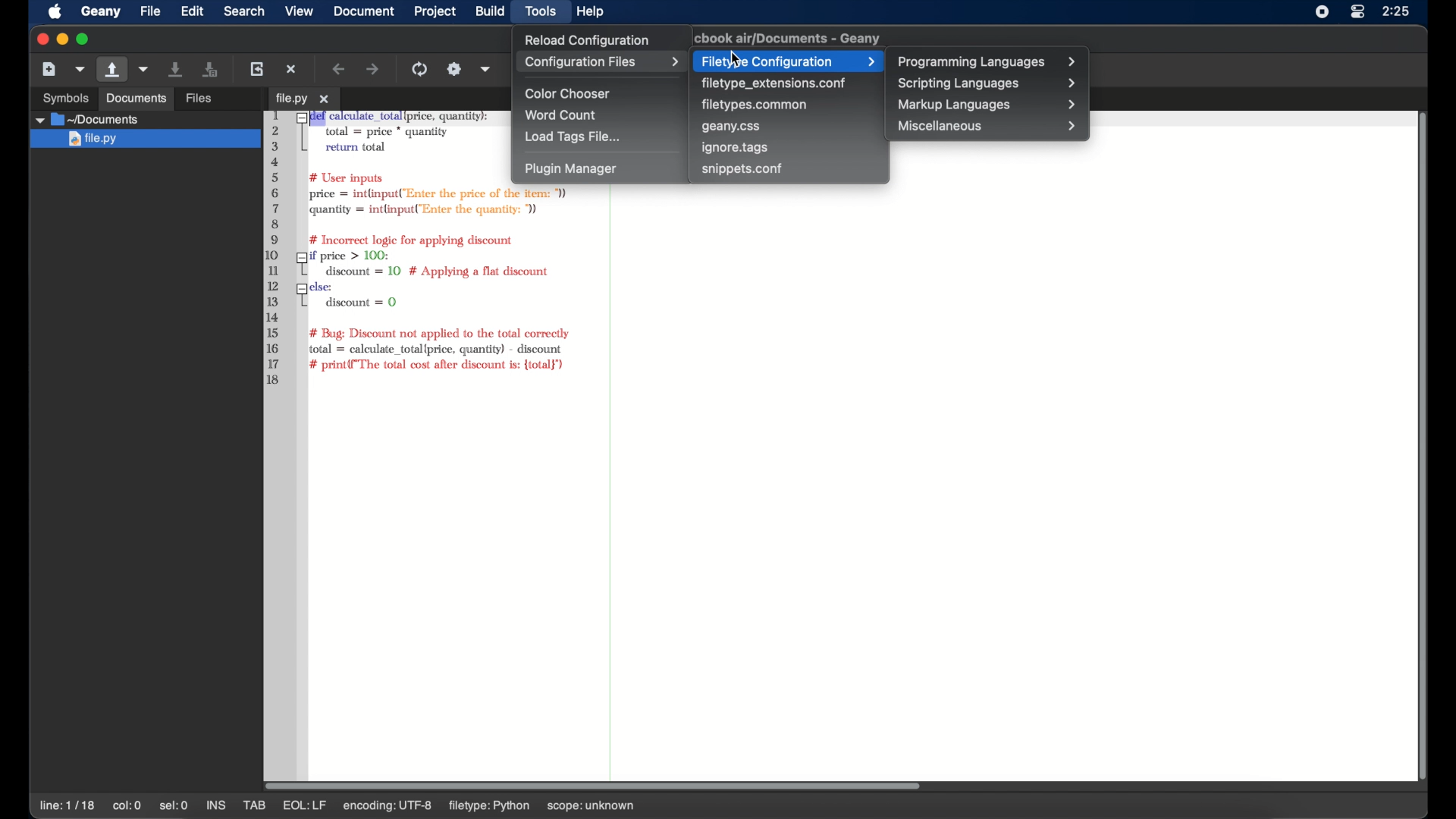  I want to click on filetype: python, so click(532, 805).